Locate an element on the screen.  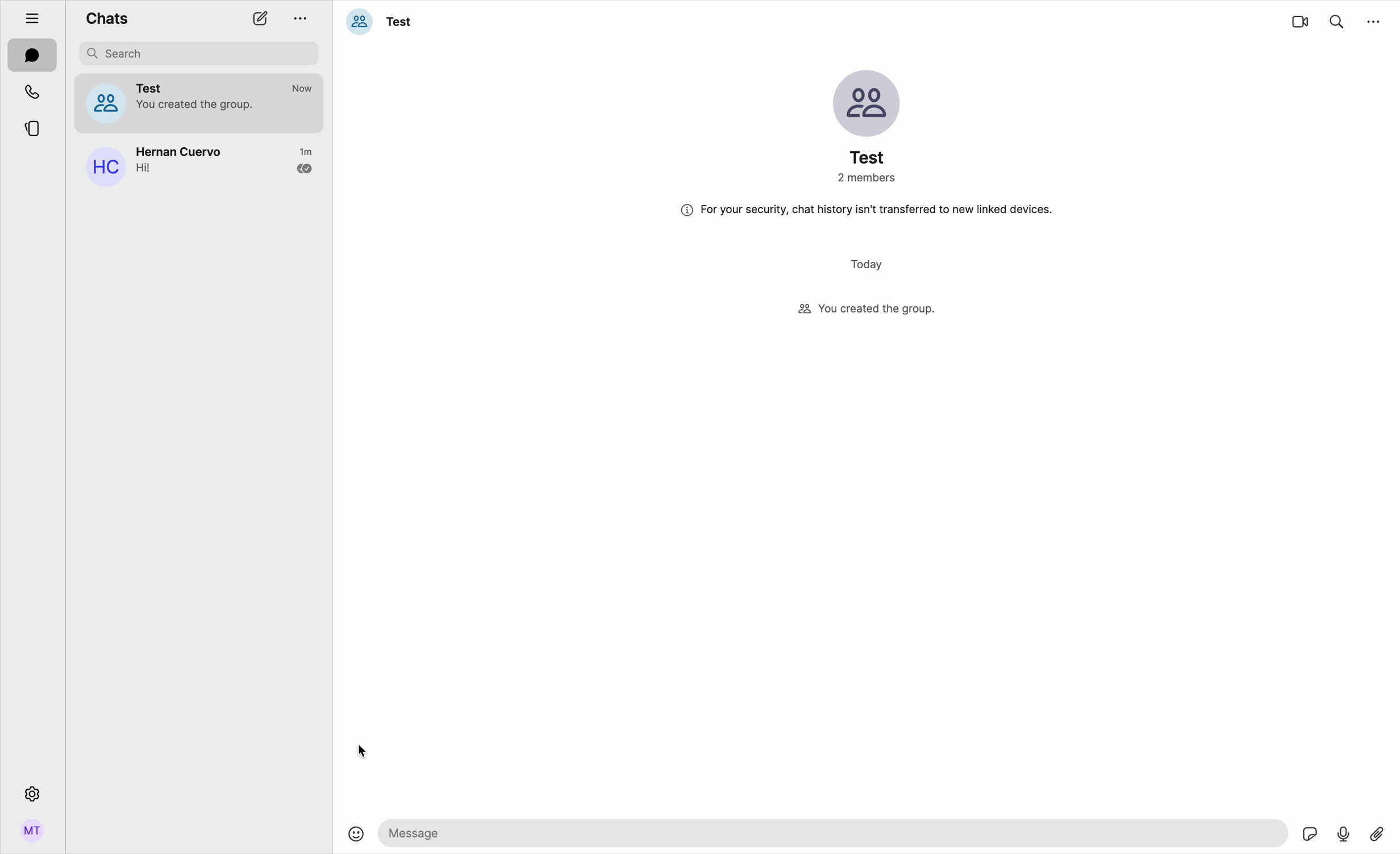
group created is located at coordinates (868, 312).